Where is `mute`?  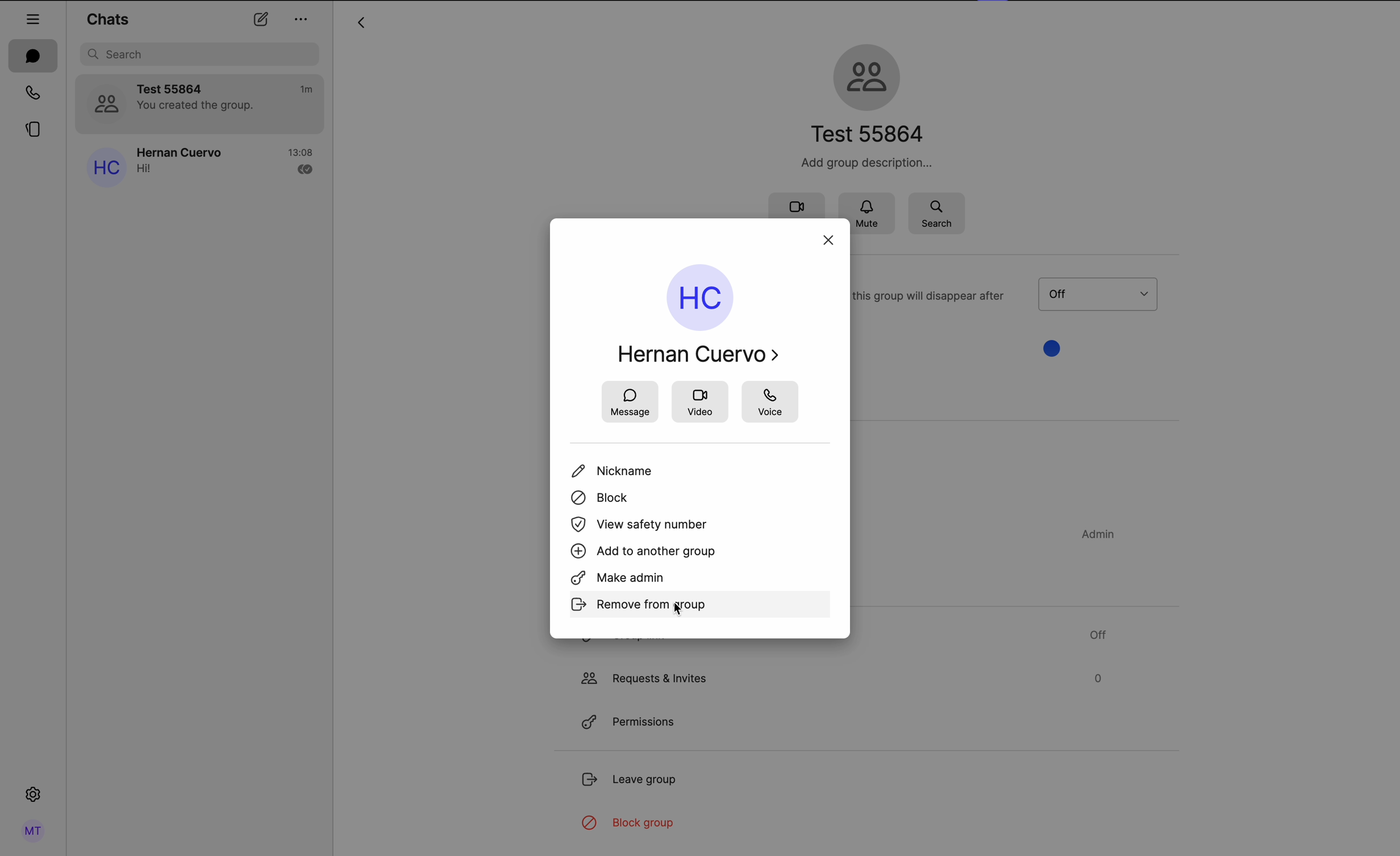 mute is located at coordinates (873, 211).